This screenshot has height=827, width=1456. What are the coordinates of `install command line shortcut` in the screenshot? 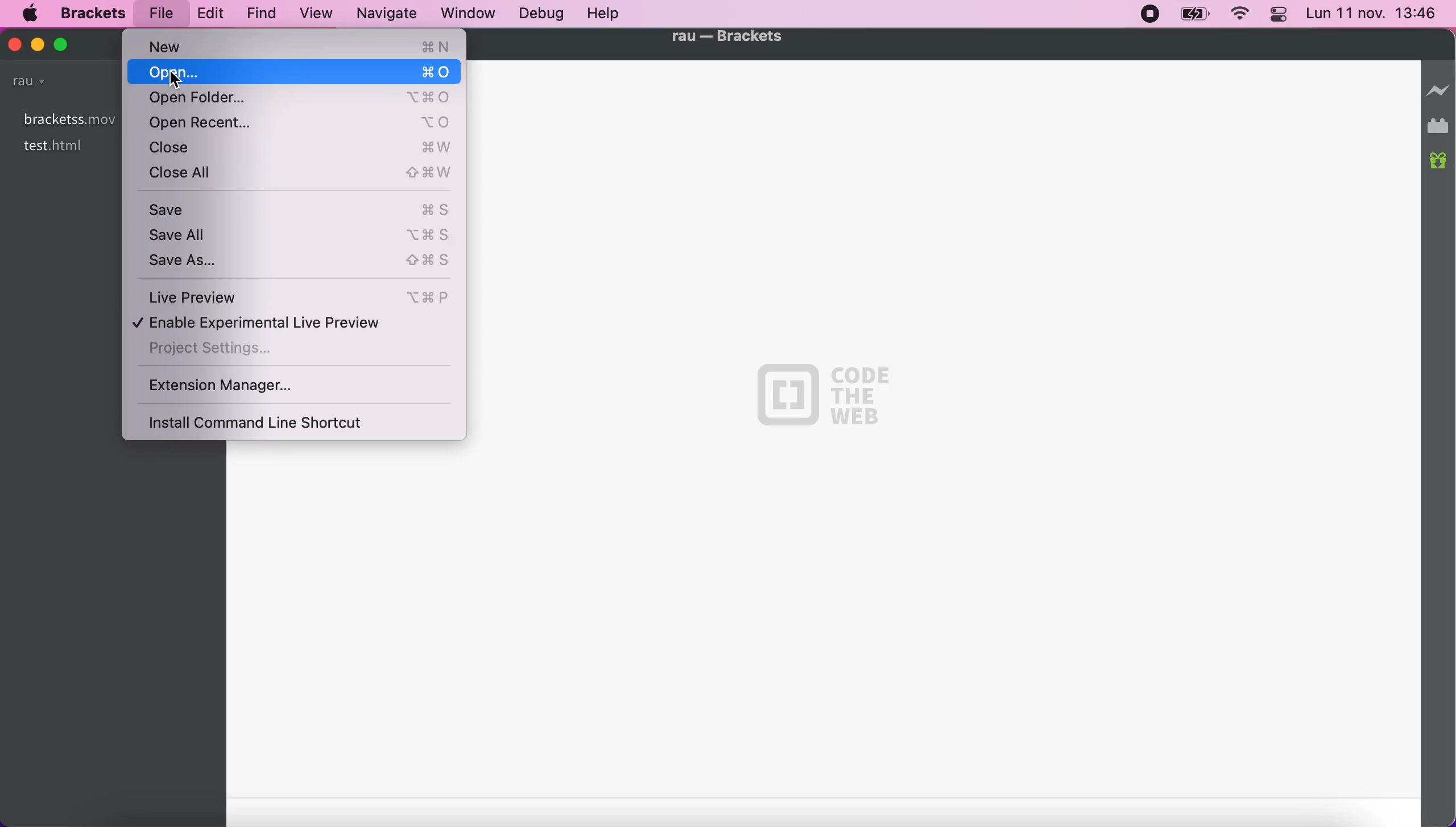 It's located at (281, 423).